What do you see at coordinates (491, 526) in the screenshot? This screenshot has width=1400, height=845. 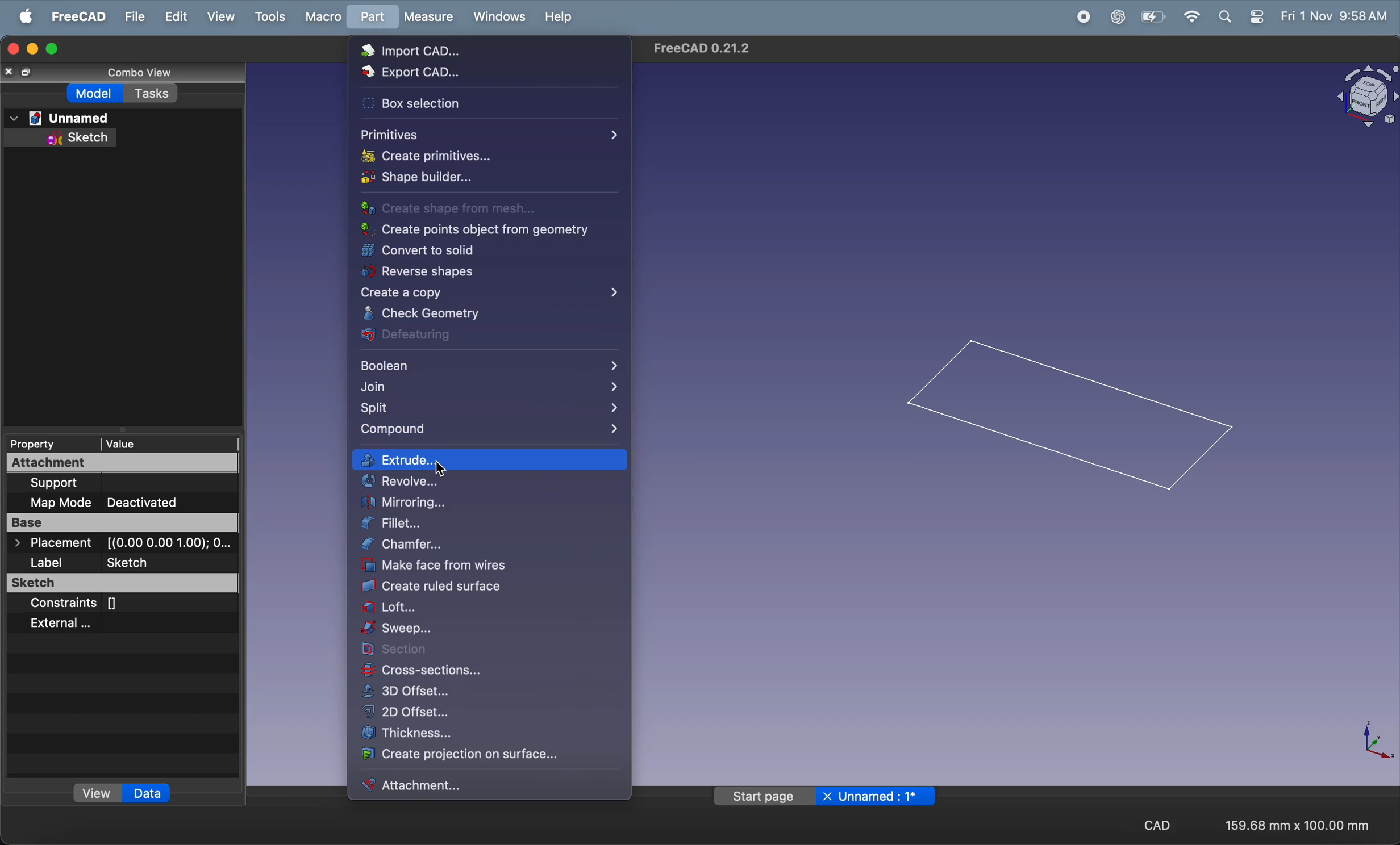 I see `fillet` at bounding box center [491, 526].